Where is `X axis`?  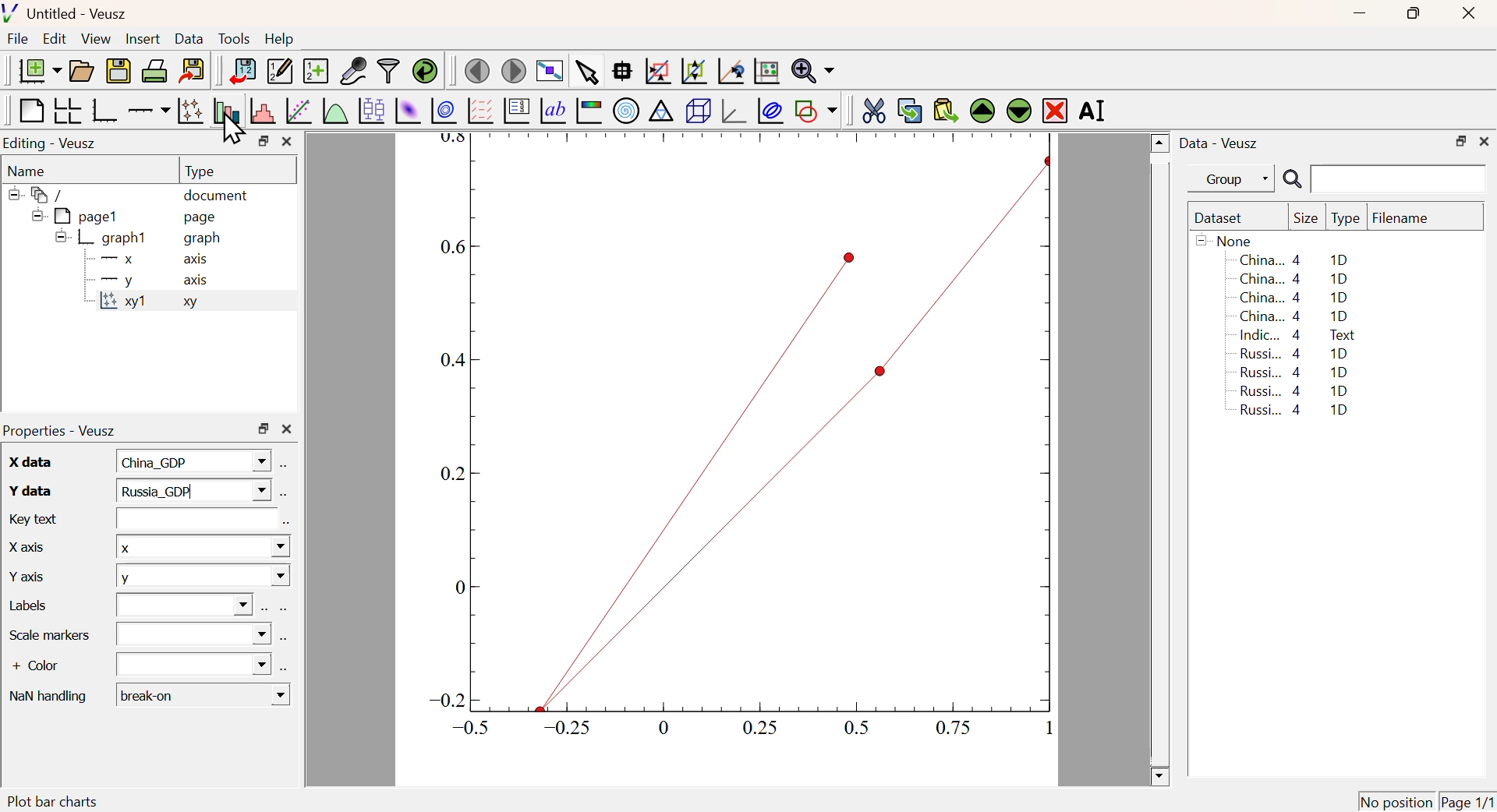
X axis is located at coordinates (23, 545).